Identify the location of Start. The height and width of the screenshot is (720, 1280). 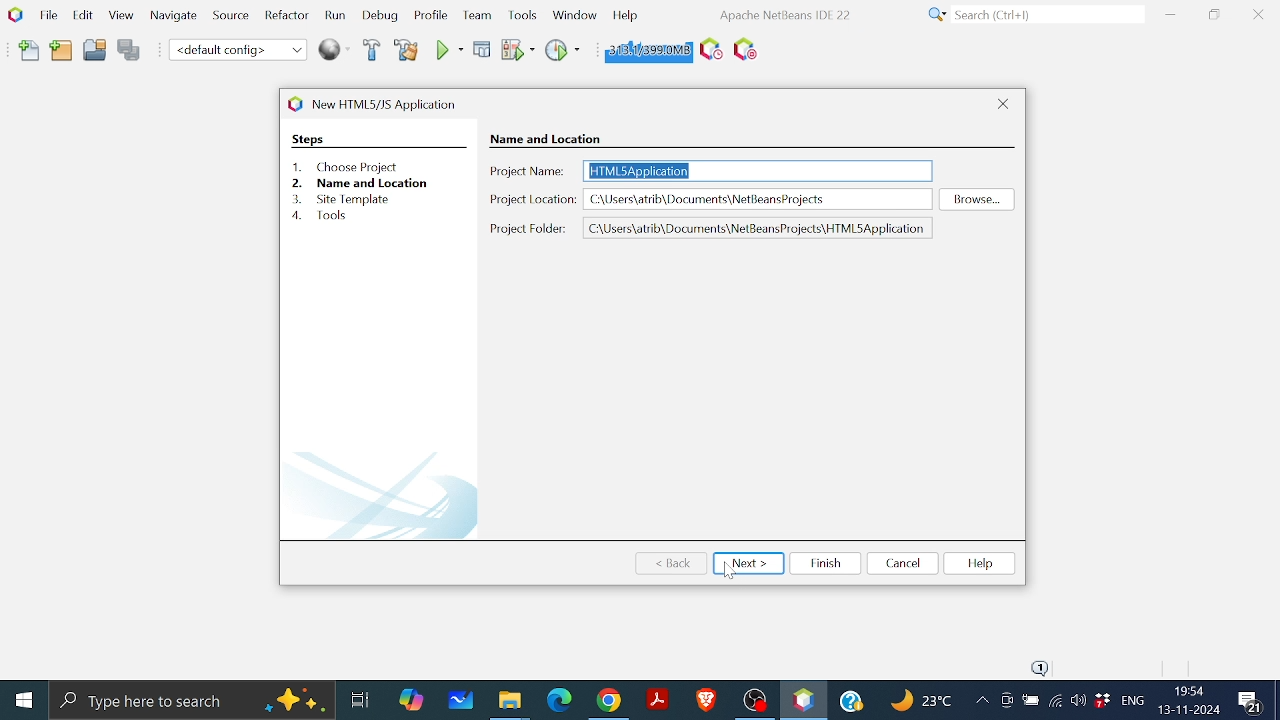
(23, 701).